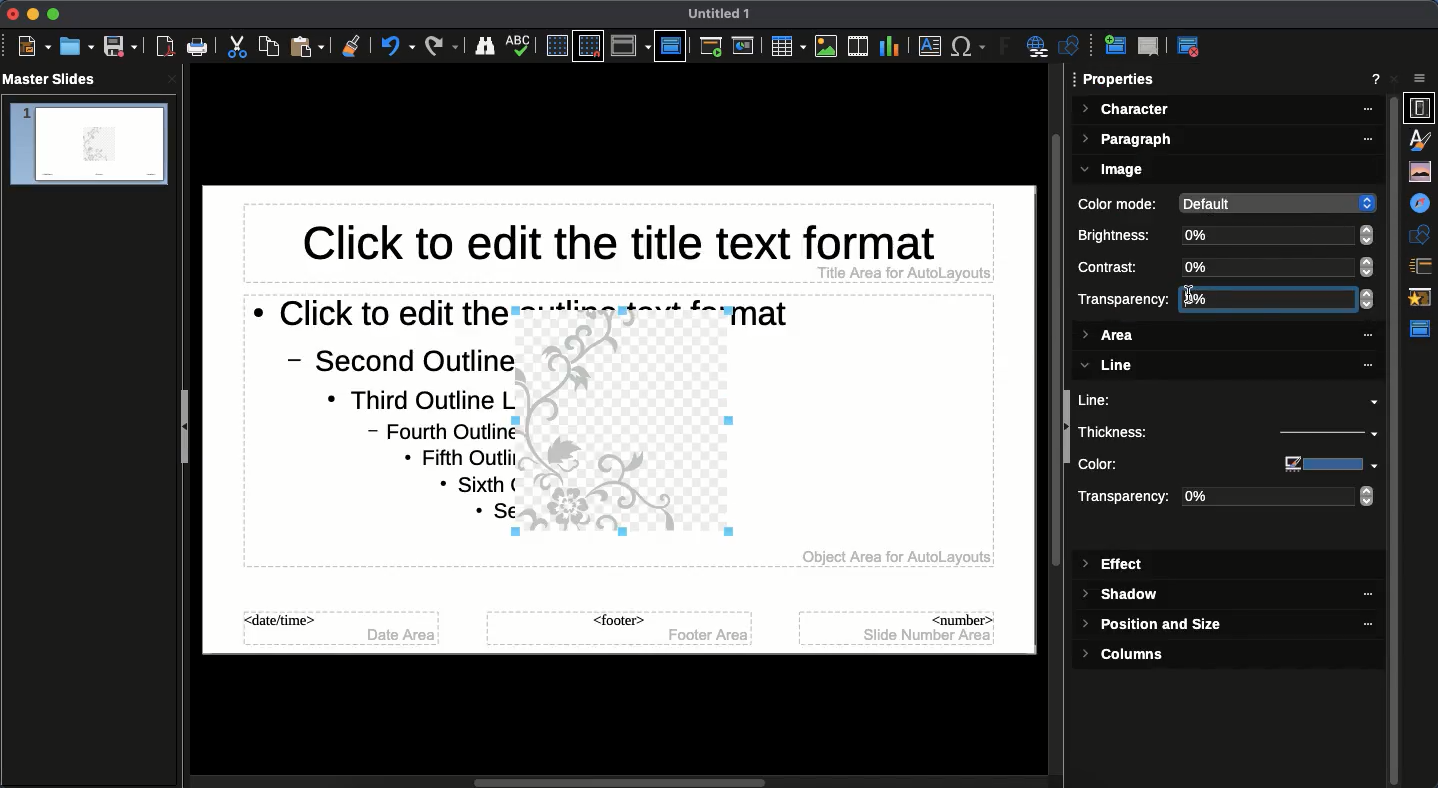 Image resolution: width=1438 pixels, height=788 pixels. Describe the element at coordinates (351, 46) in the screenshot. I see `Clean formatting` at that location.